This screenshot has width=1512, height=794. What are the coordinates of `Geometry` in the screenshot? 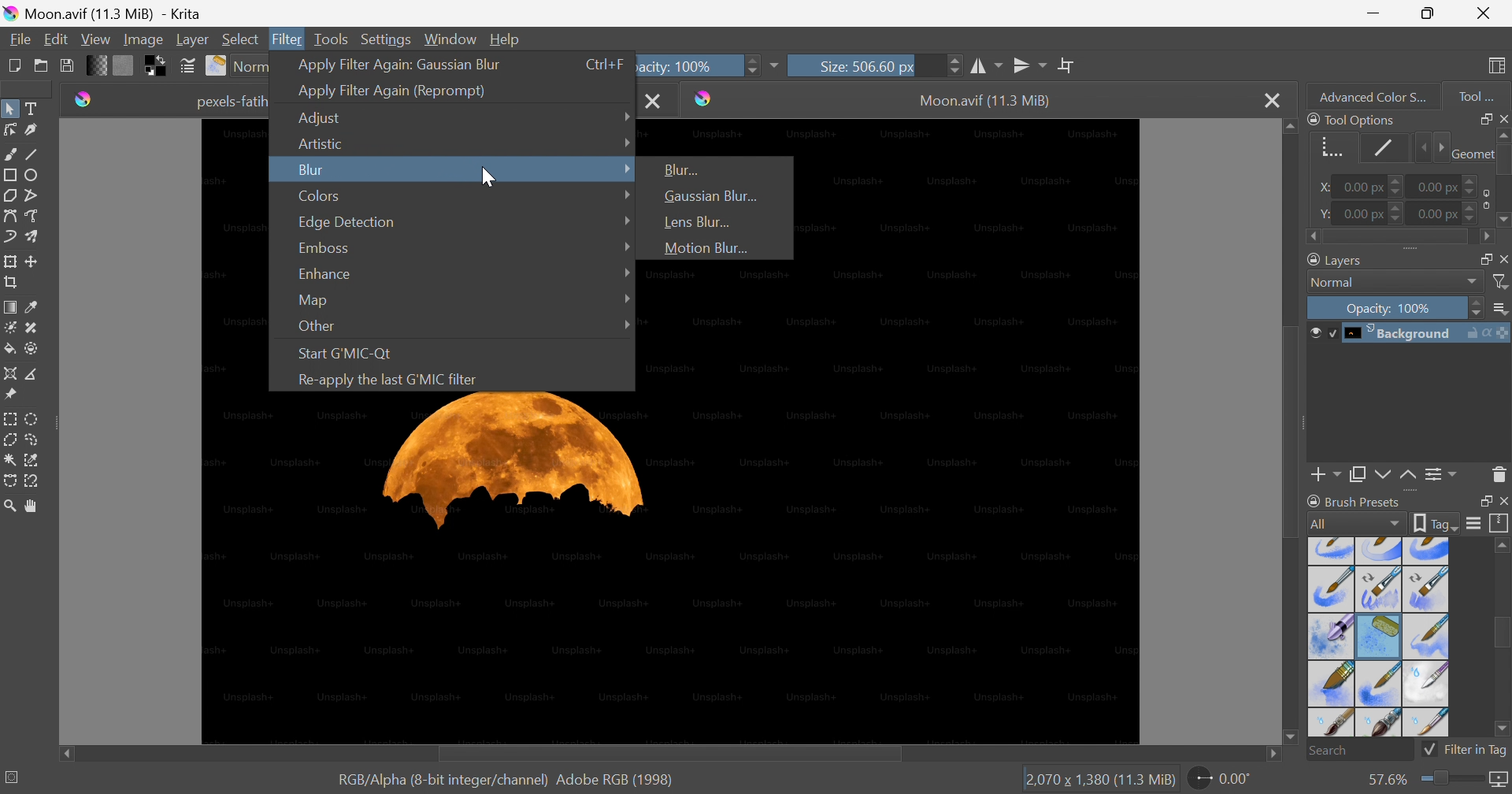 It's located at (1470, 154).